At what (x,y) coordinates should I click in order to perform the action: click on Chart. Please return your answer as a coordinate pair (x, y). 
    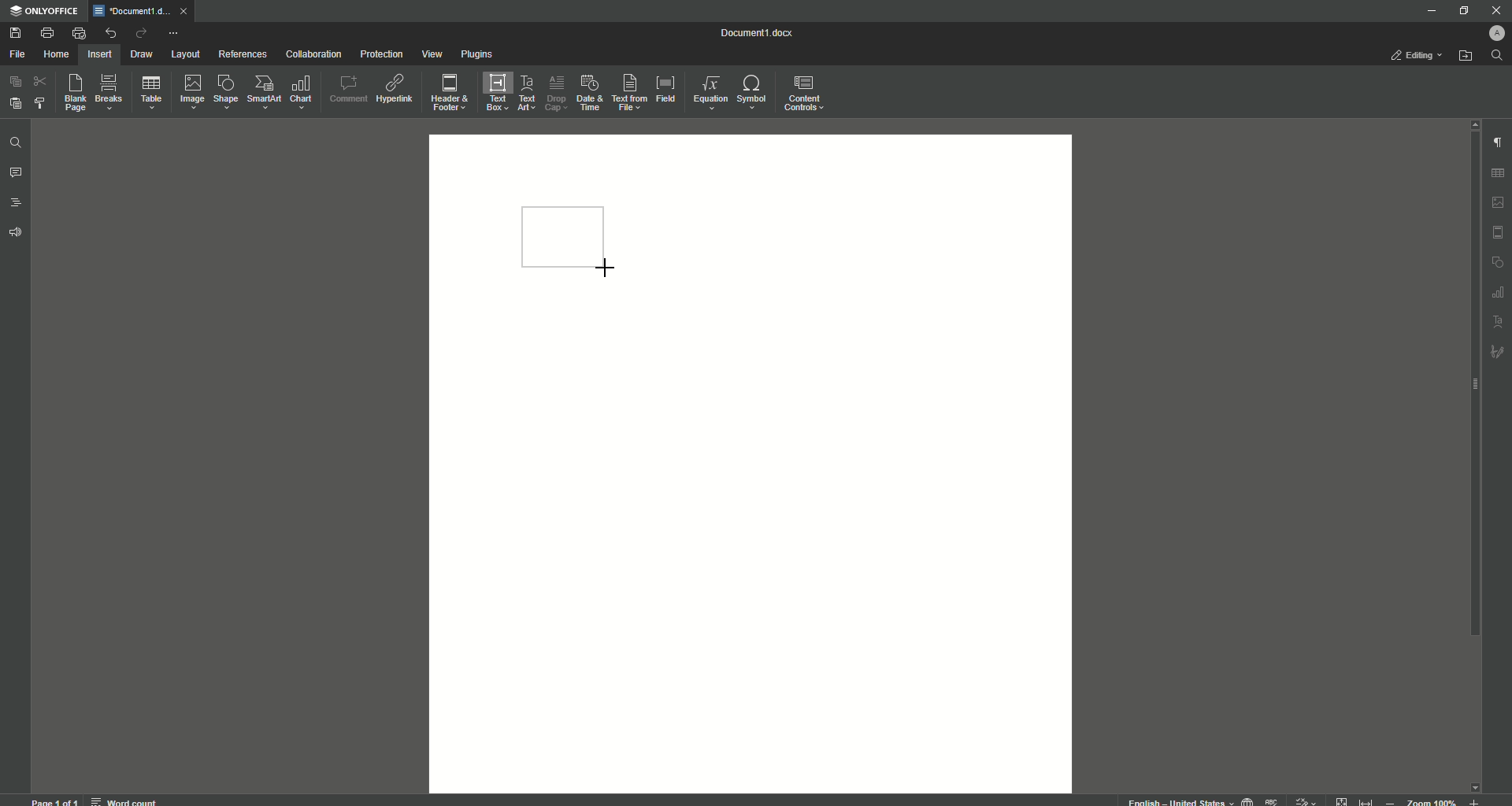
    Looking at the image, I should click on (302, 92).